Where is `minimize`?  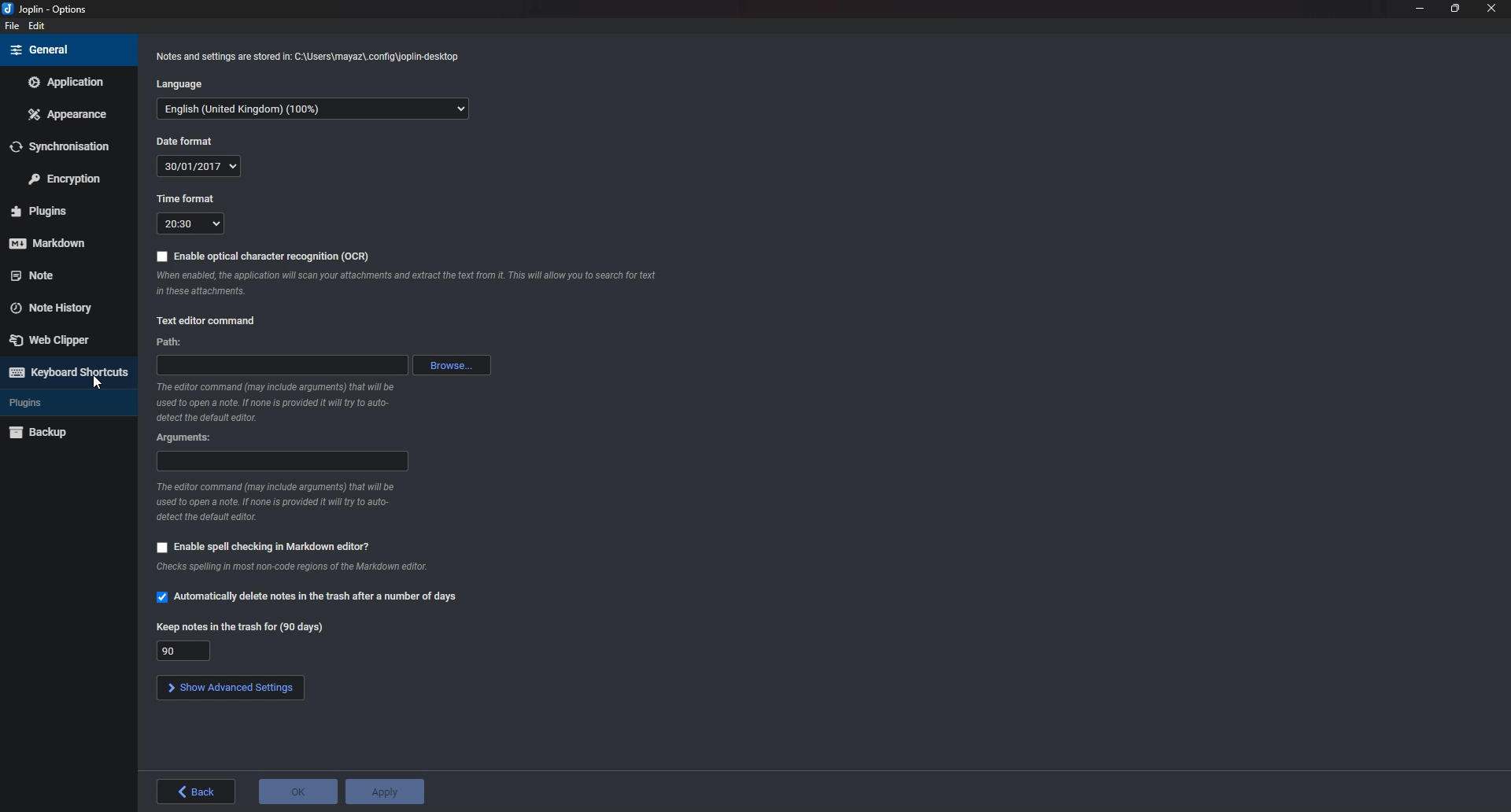
minimize is located at coordinates (1420, 7).